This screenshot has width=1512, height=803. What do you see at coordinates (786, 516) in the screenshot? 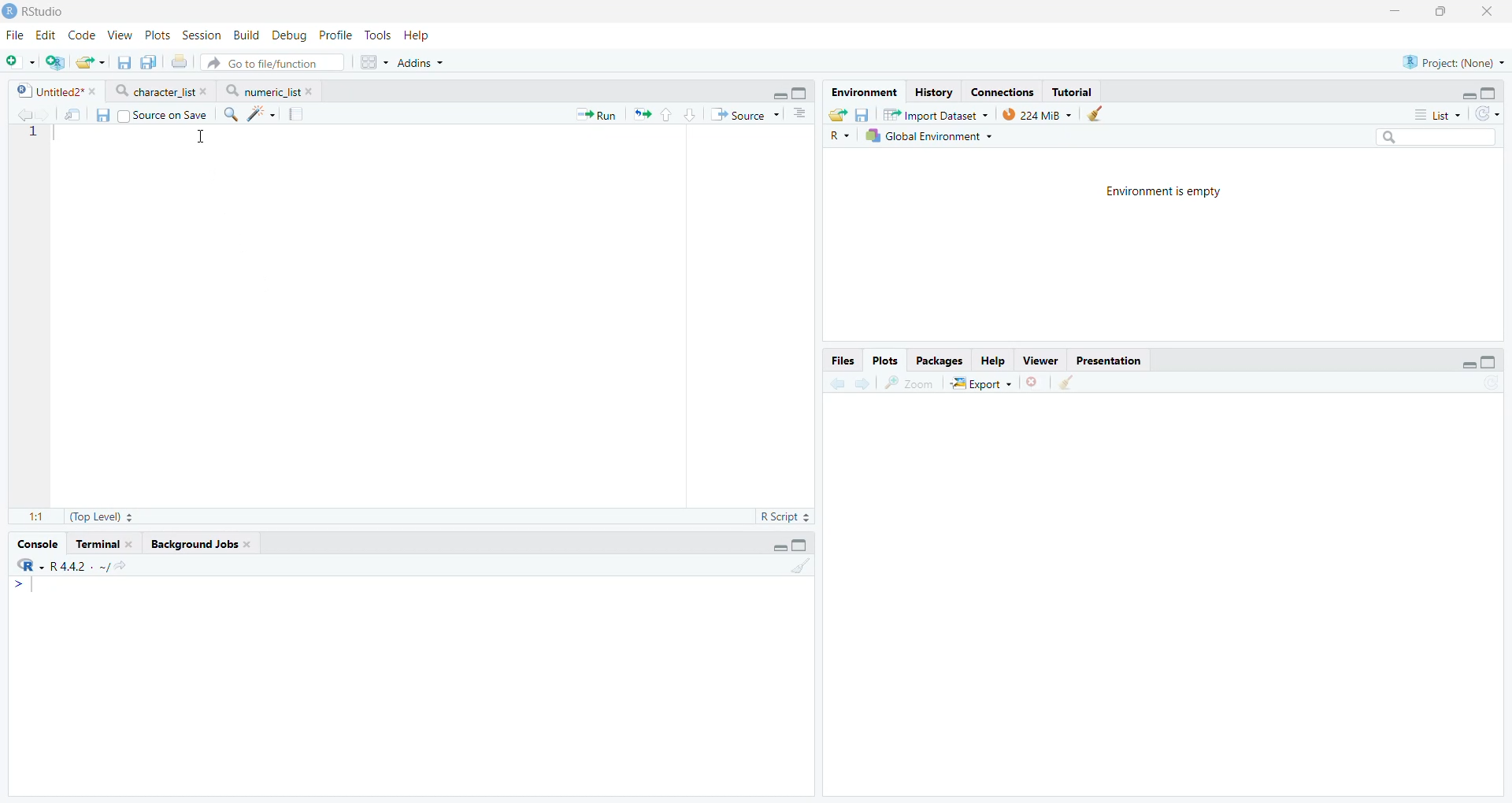
I see `R Script` at bounding box center [786, 516].